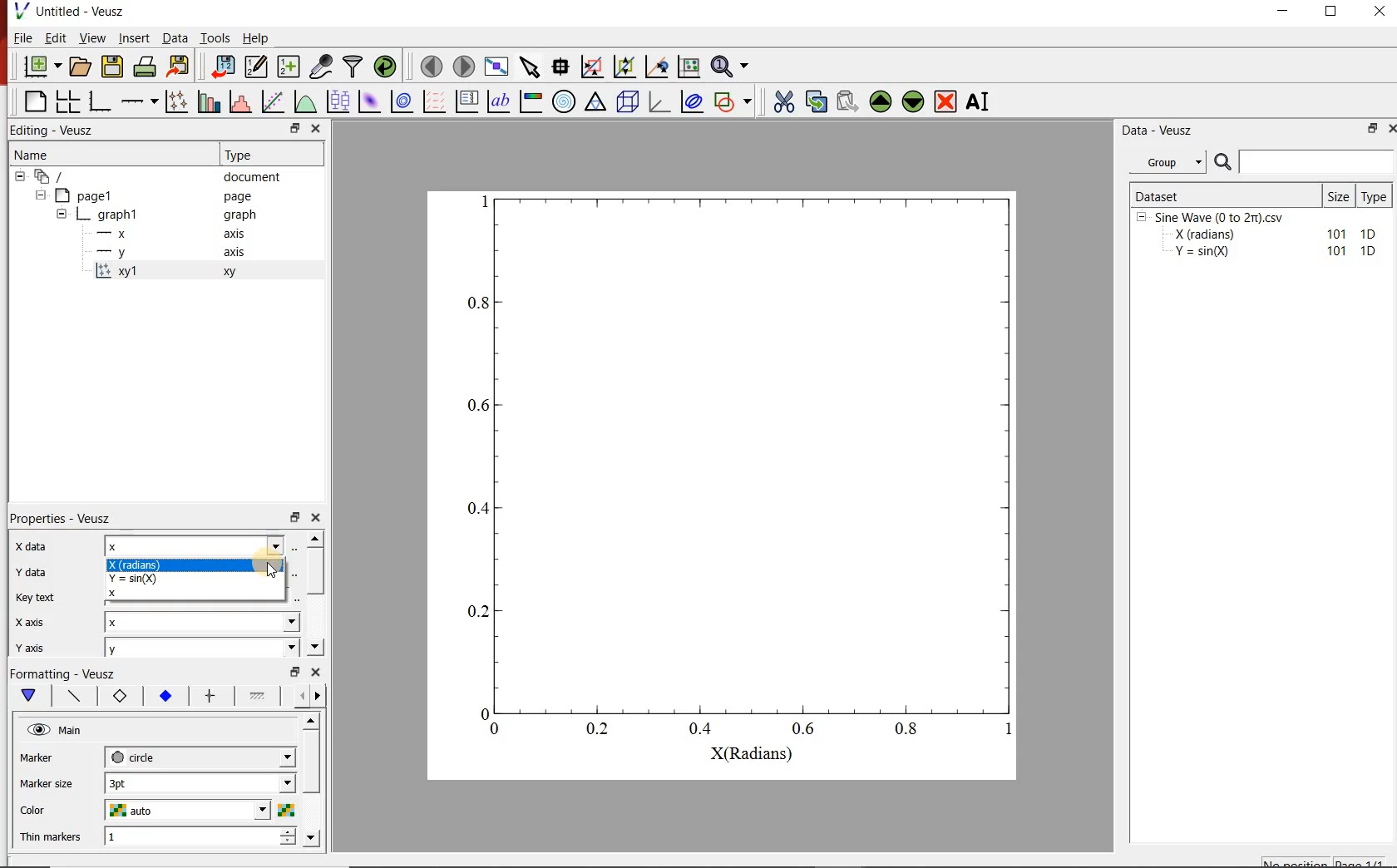 Image resolution: width=1397 pixels, height=868 pixels. Describe the element at coordinates (1172, 162) in the screenshot. I see `Group` at that location.